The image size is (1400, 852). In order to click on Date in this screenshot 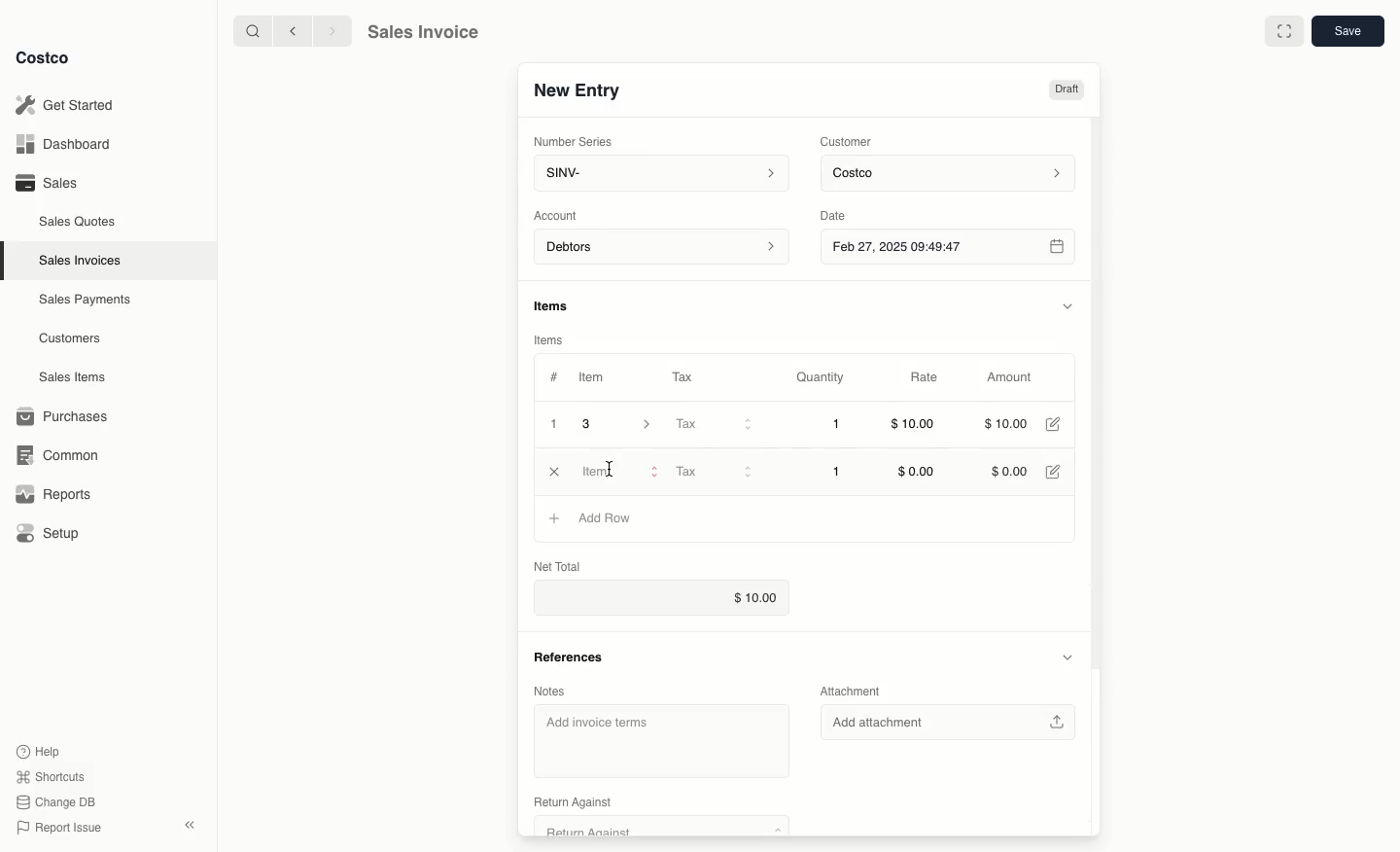, I will do `click(849, 213)`.